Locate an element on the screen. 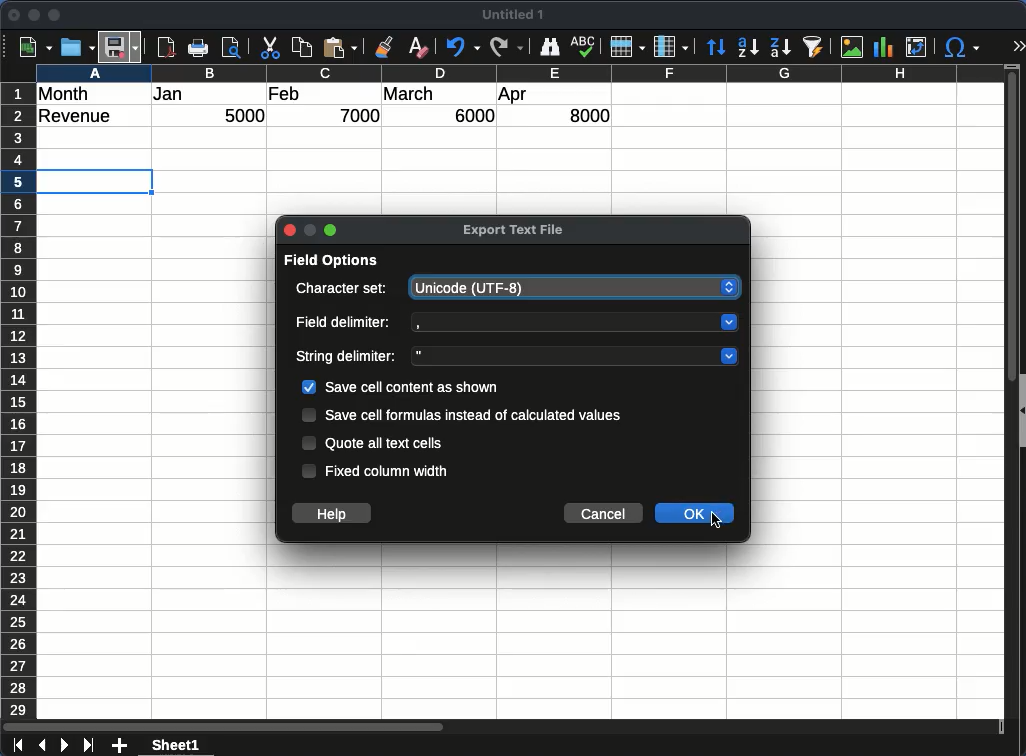 The image size is (1026, 756). collapse is located at coordinates (1020, 408).